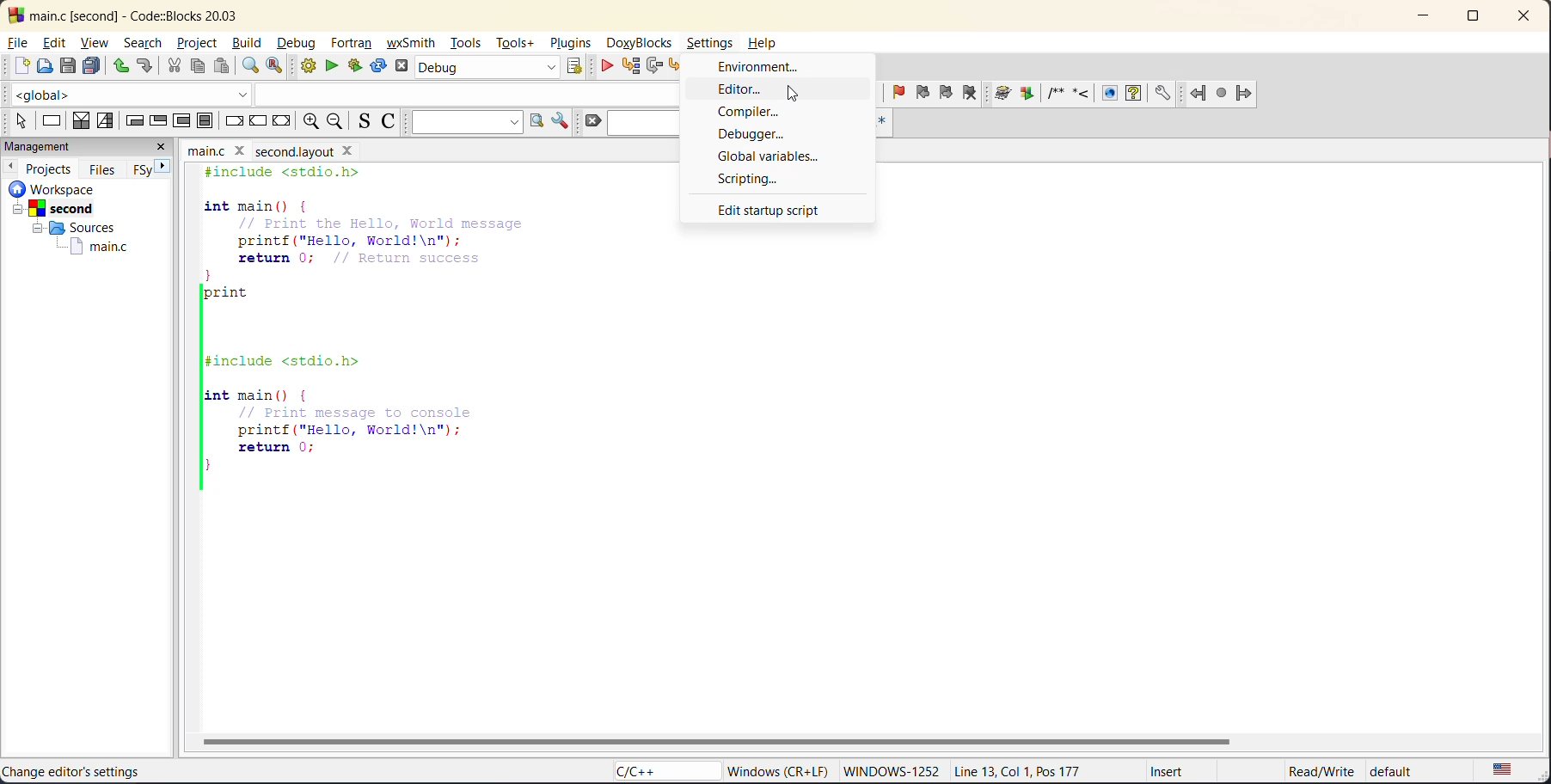  I want to click on language, so click(658, 772).